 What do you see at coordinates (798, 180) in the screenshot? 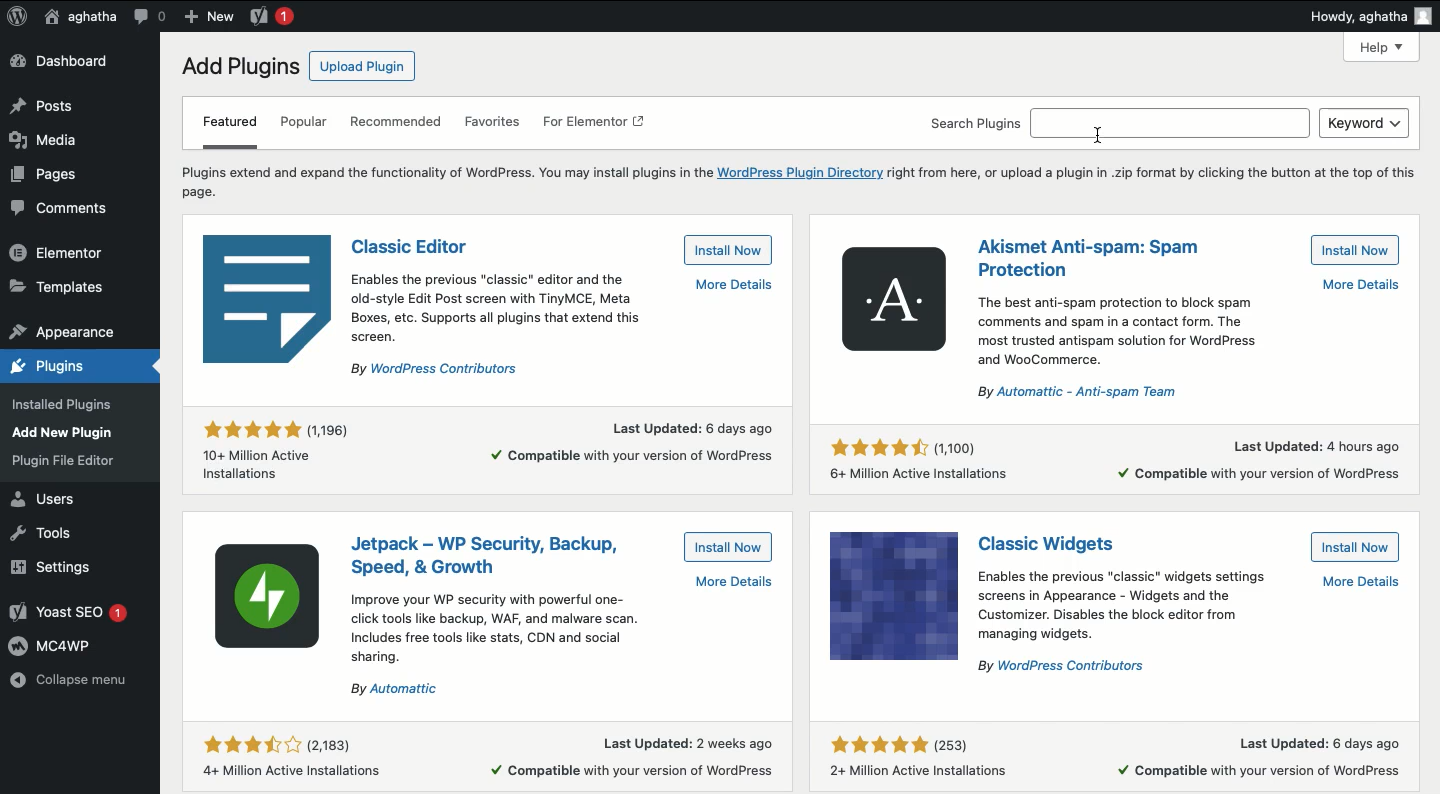
I see `Plugins extend and expand the functionality of WordPress. You may install plugins in the WordPress Plugin Directory right from here, or upload a plugin in .zip format by clicking the button at the top of this .page.` at bounding box center [798, 180].